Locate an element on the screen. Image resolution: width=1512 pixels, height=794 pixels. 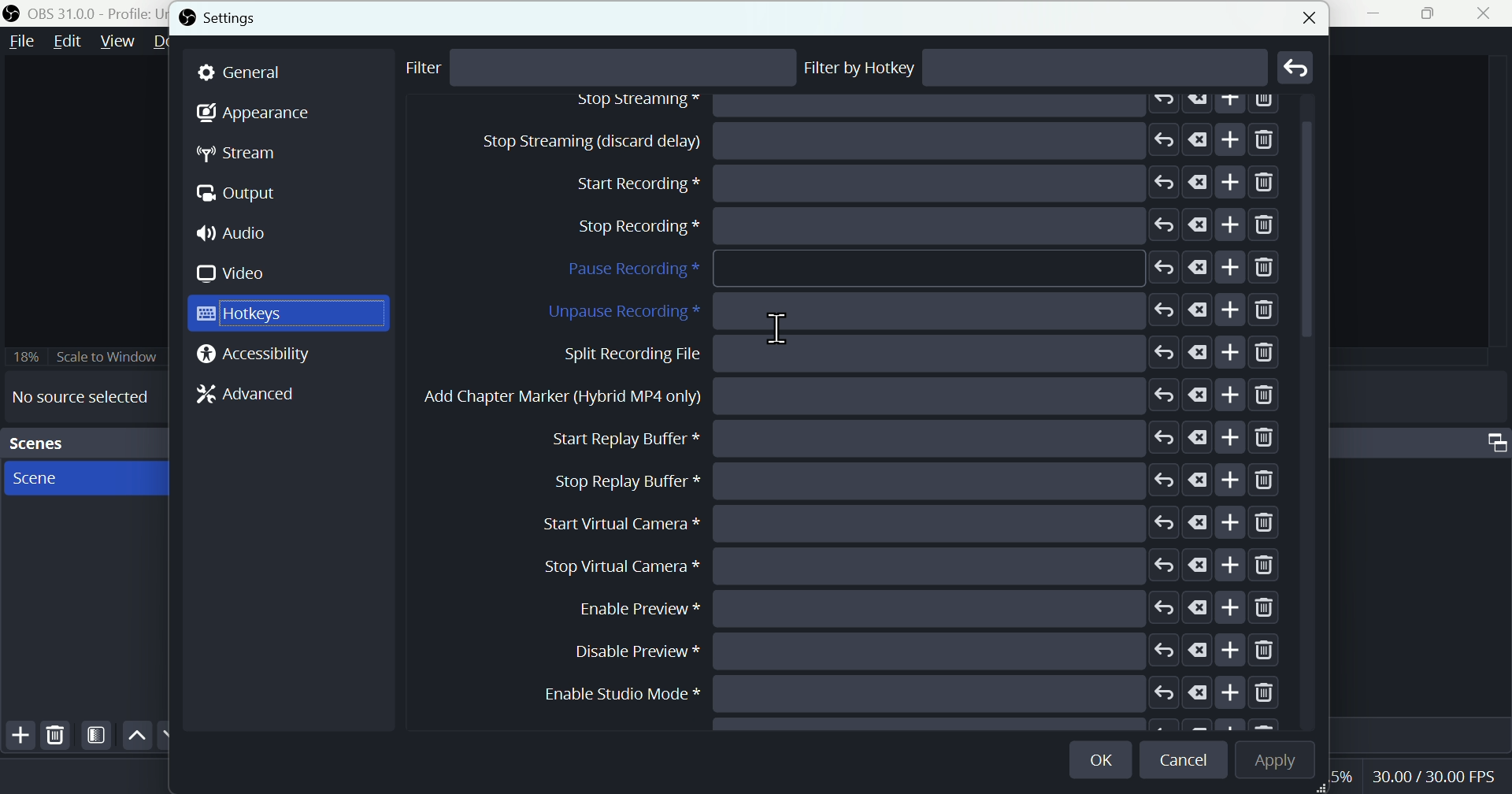
Scale to window is located at coordinates (82, 356).